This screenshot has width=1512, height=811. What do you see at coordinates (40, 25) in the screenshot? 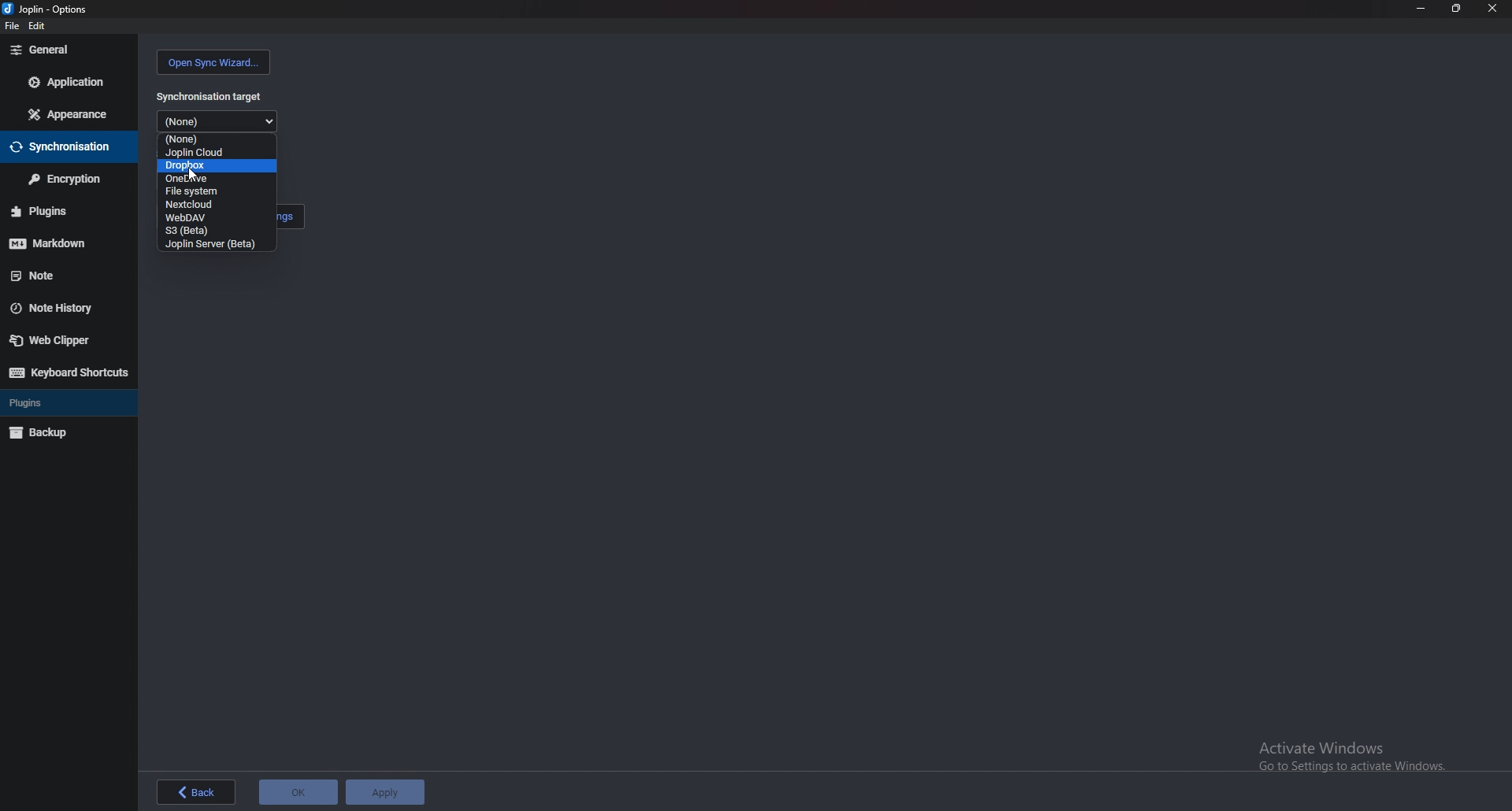
I see `edit` at bounding box center [40, 25].